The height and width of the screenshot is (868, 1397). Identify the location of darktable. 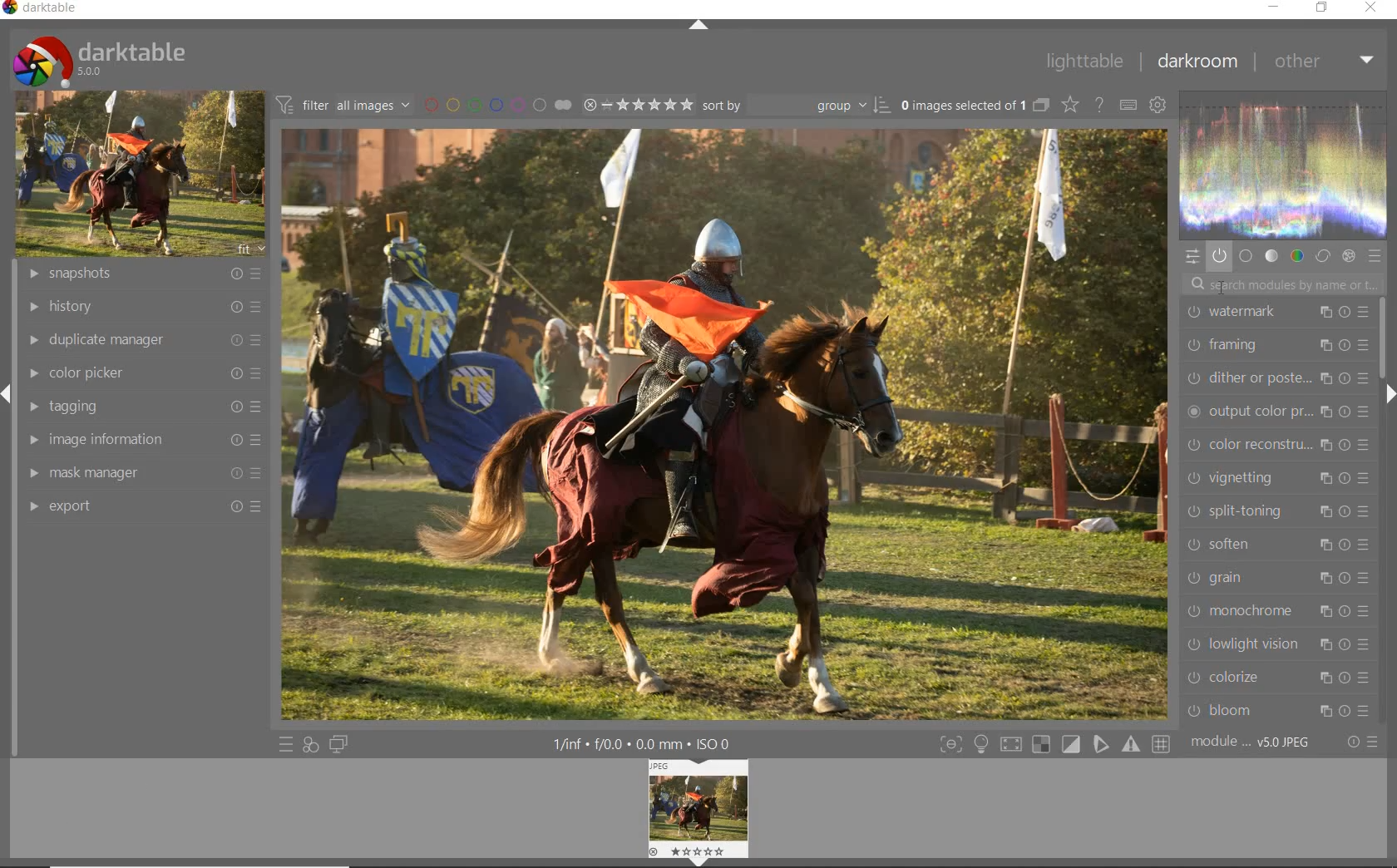
(45, 10).